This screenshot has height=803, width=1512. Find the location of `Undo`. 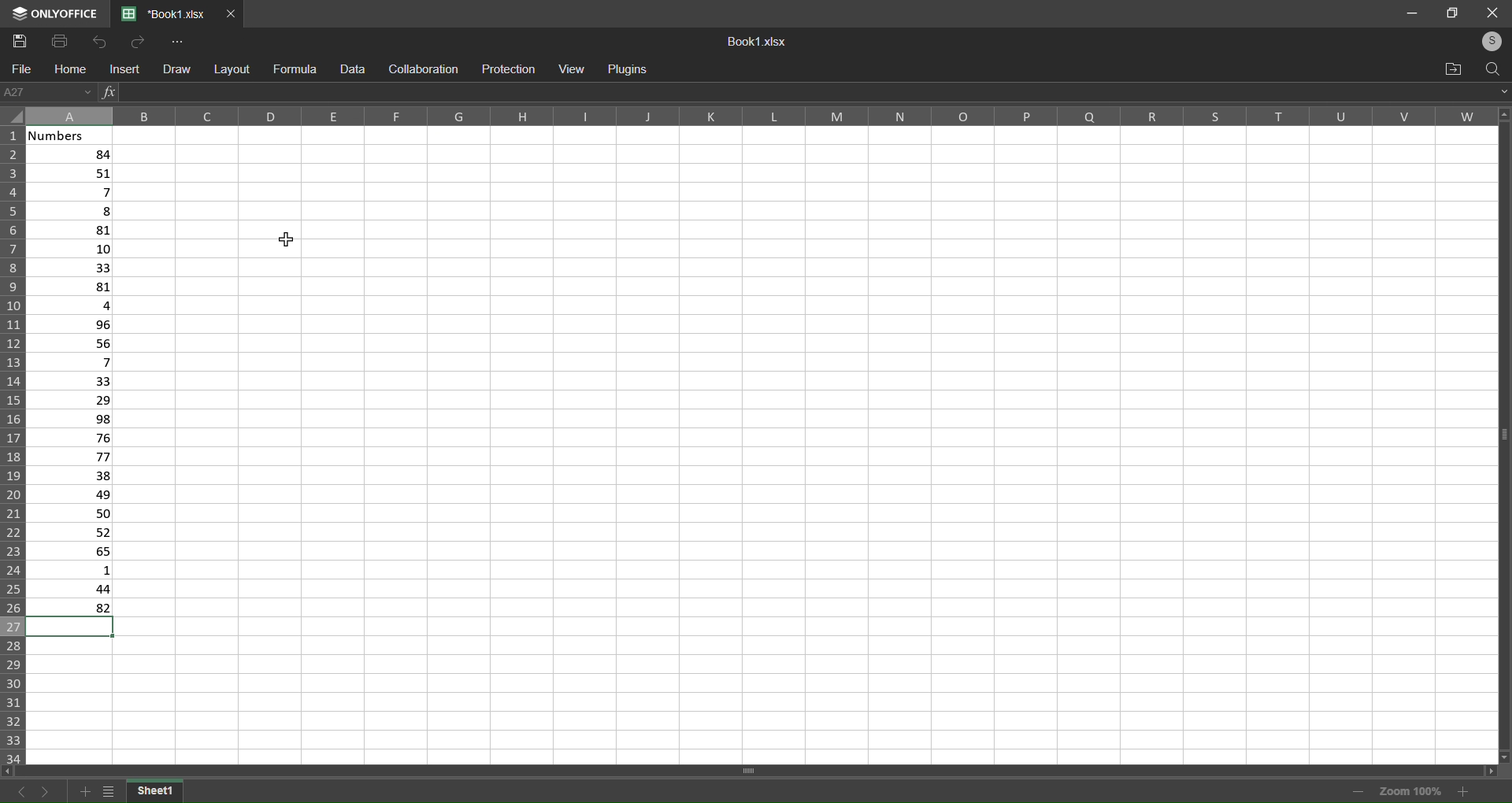

Undo is located at coordinates (98, 43).